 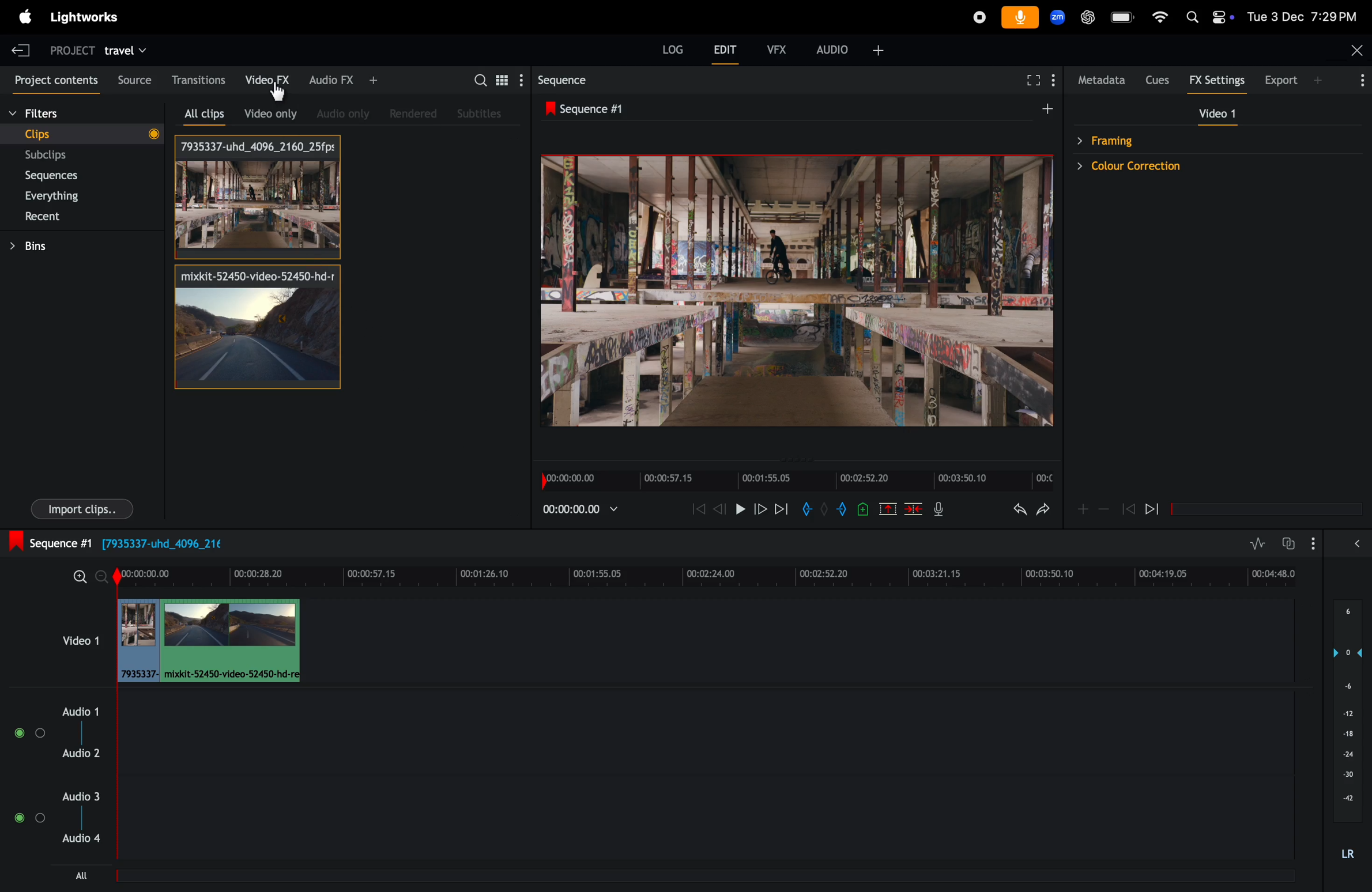 I want to click on togle between the list view, so click(x=504, y=82).